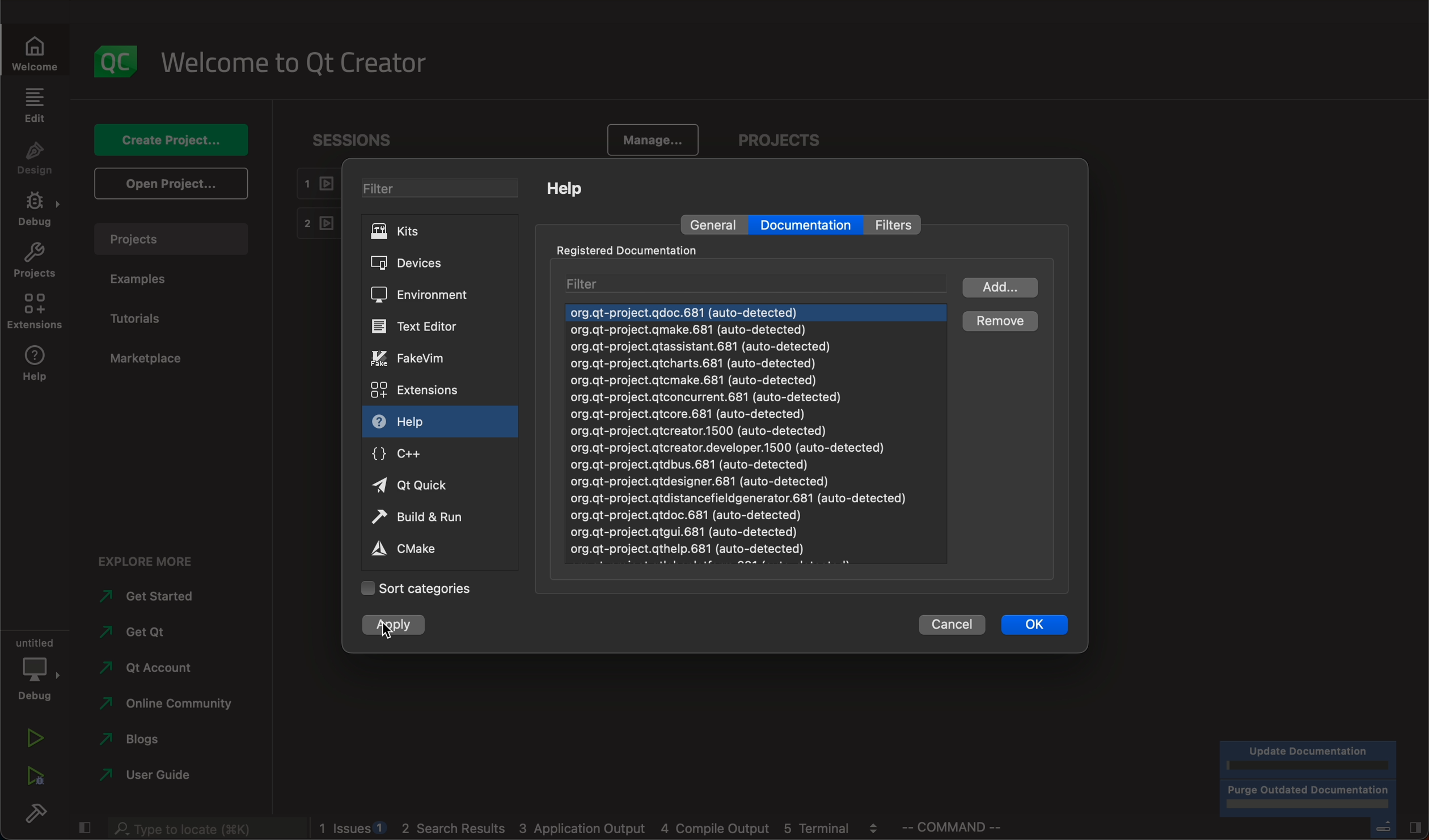 The image size is (1429, 840). What do you see at coordinates (294, 63) in the screenshot?
I see `welcome` at bounding box center [294, 63].